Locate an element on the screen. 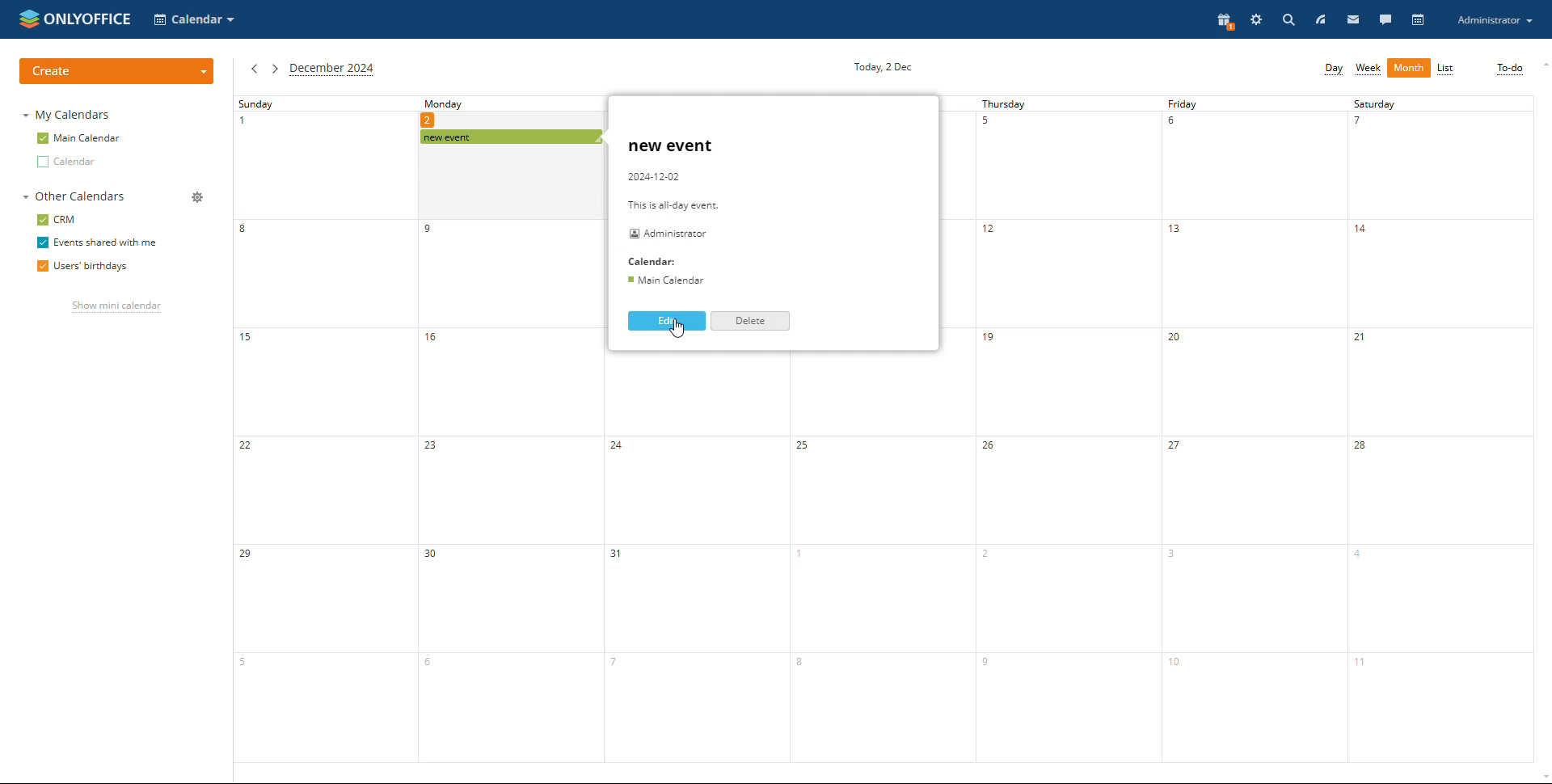 This screenshot has width=1552, height=784. create is located at coordinates (116, 72).